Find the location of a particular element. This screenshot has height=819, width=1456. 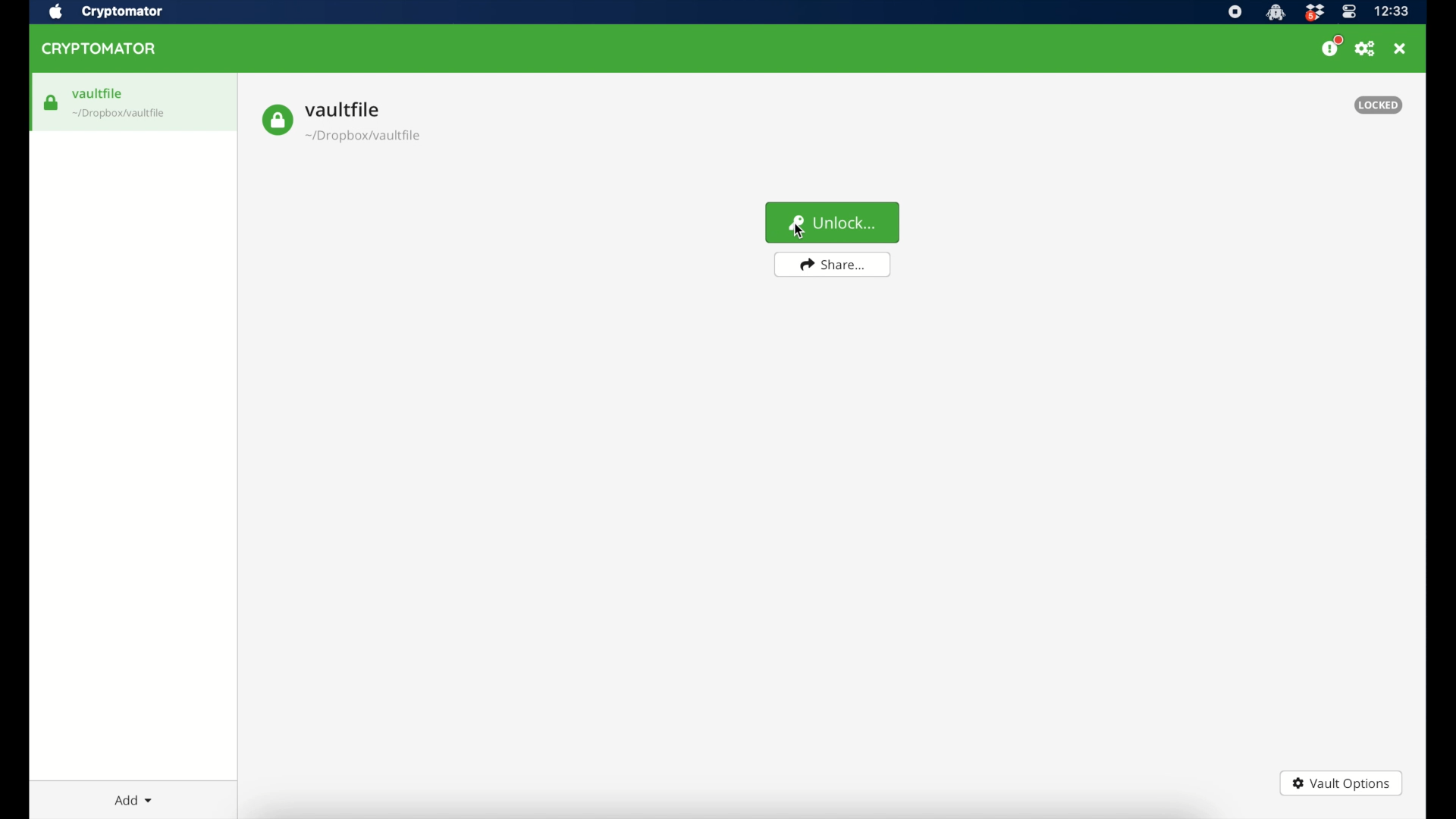

cryptomator is located at coordinates (122, 12).